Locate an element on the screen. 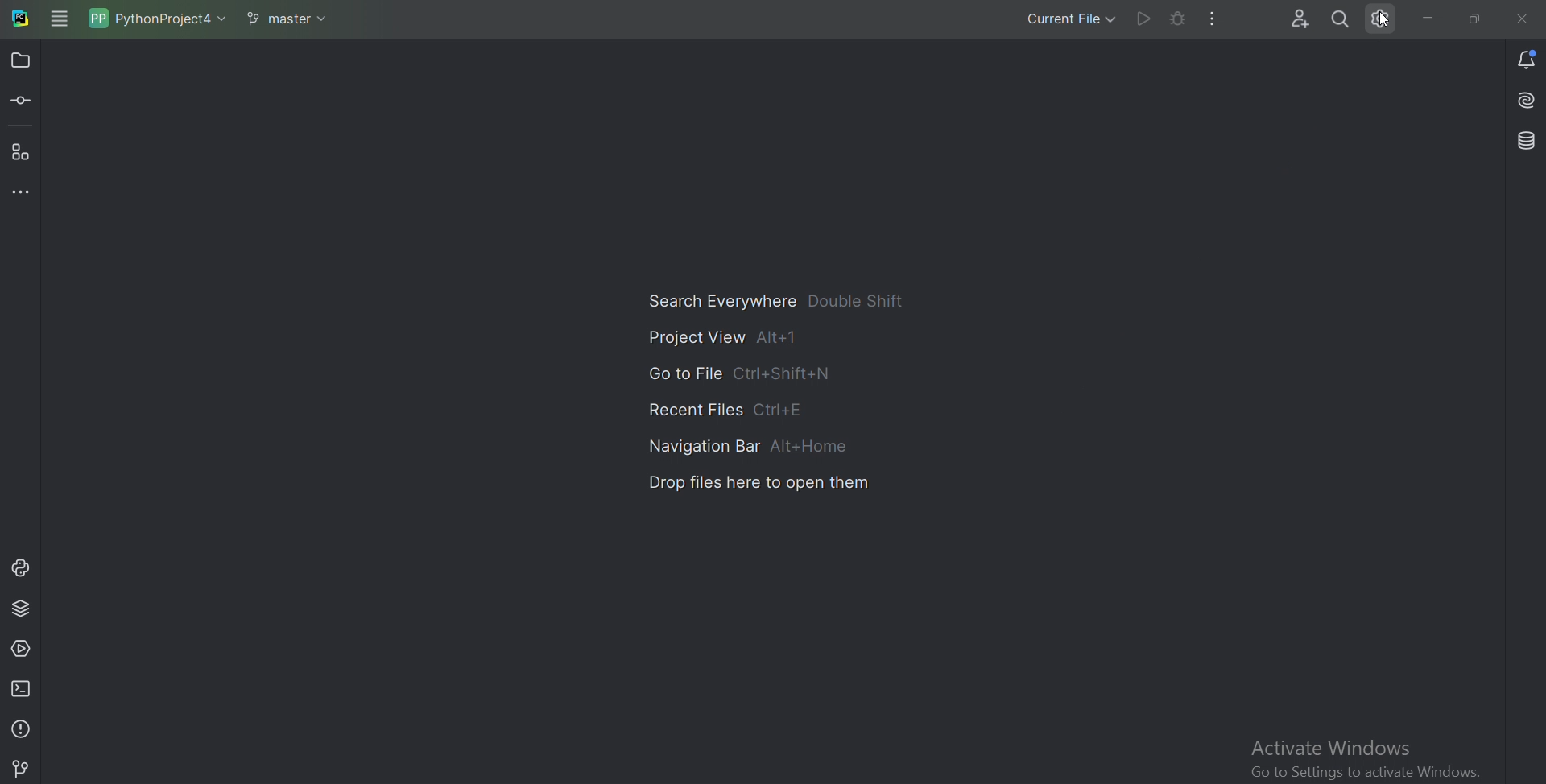 This screenshot has height=784, width=1546. master is located at coordinates (286, 18).